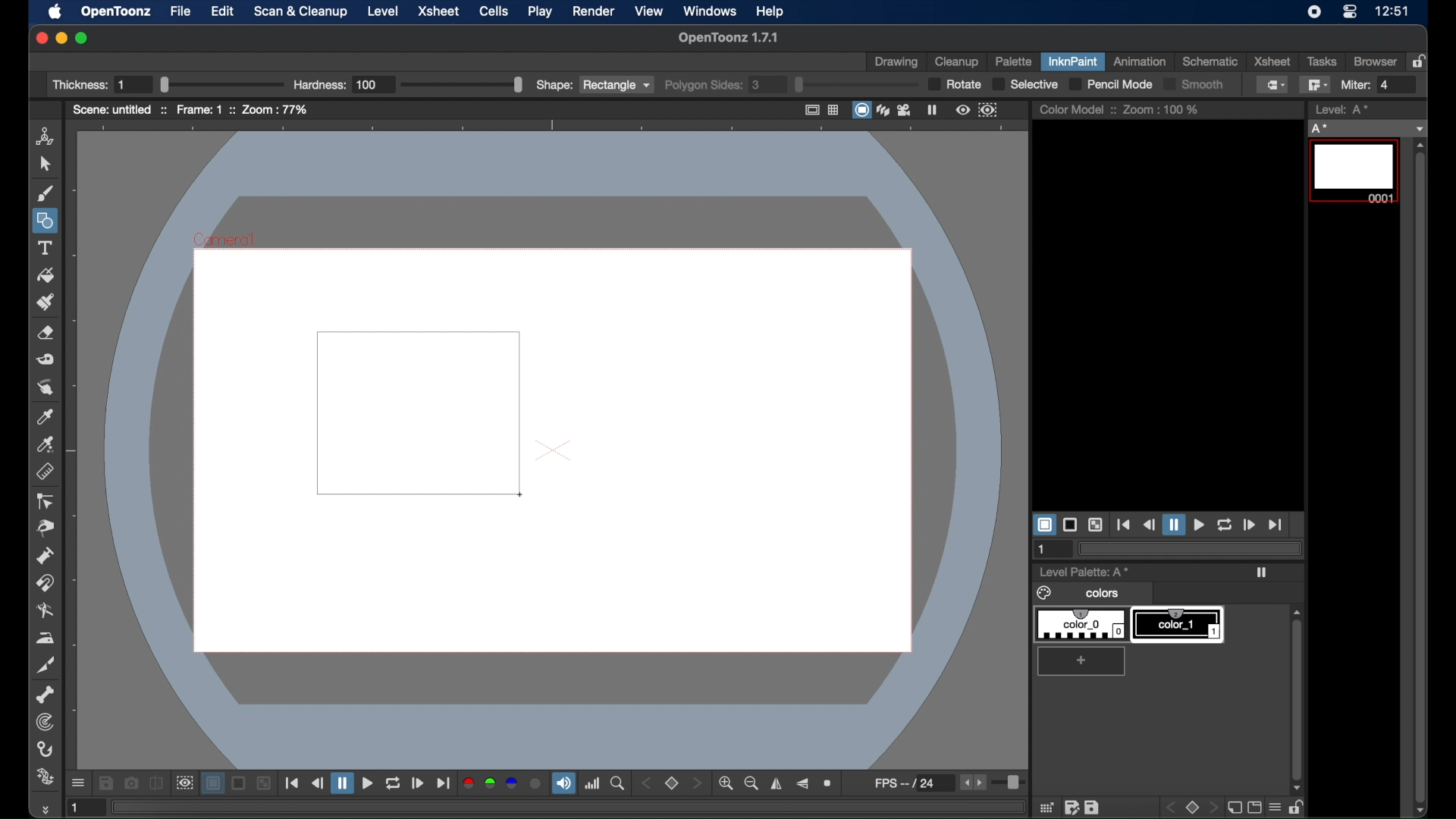 This screenshot has width=1456, height=819. Describe the element at coordinates (167, 84) in the screenshot. I see `Thickness` at that location.